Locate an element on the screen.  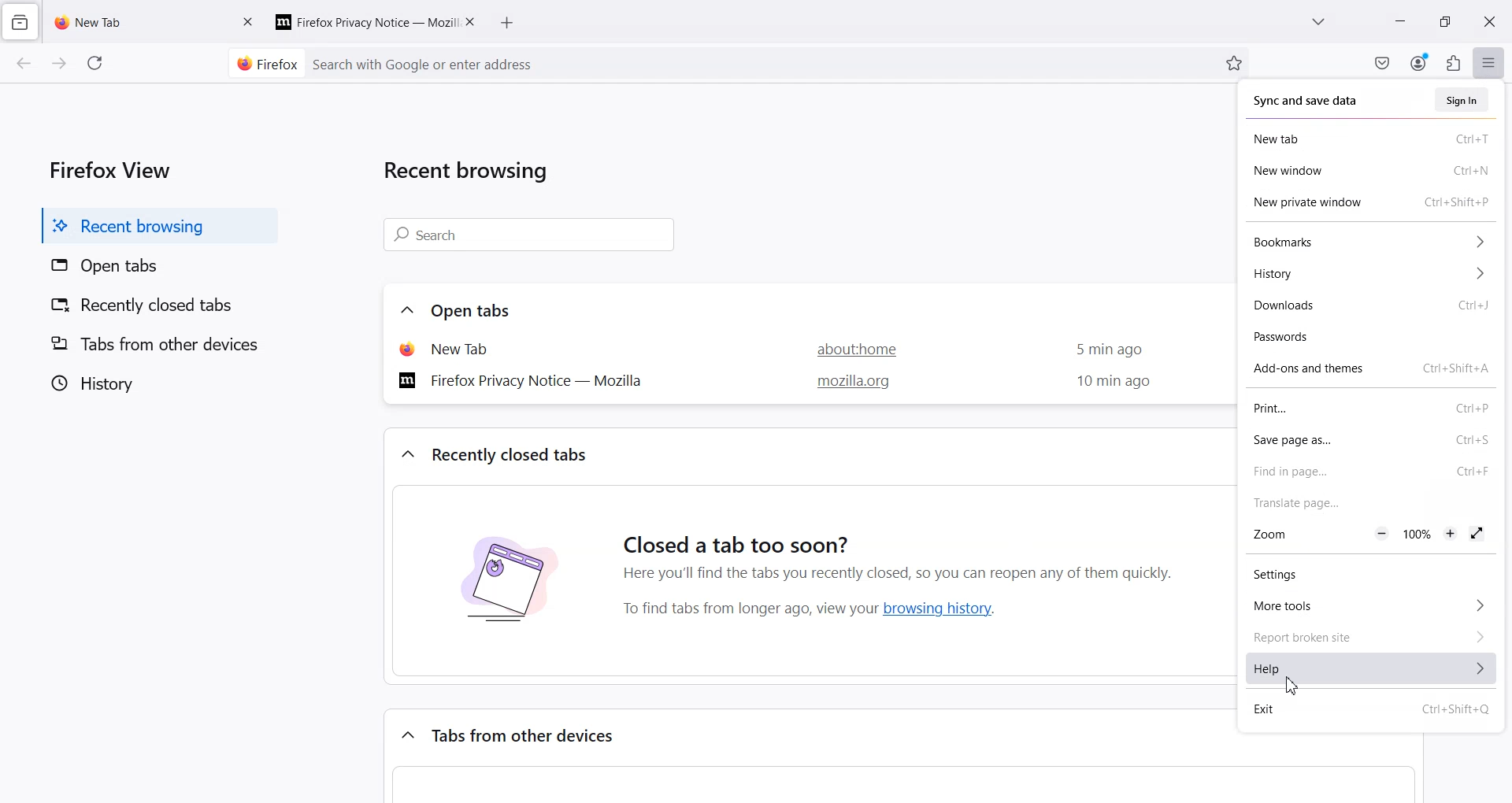
Exit is located at coordinates (1372, 711).